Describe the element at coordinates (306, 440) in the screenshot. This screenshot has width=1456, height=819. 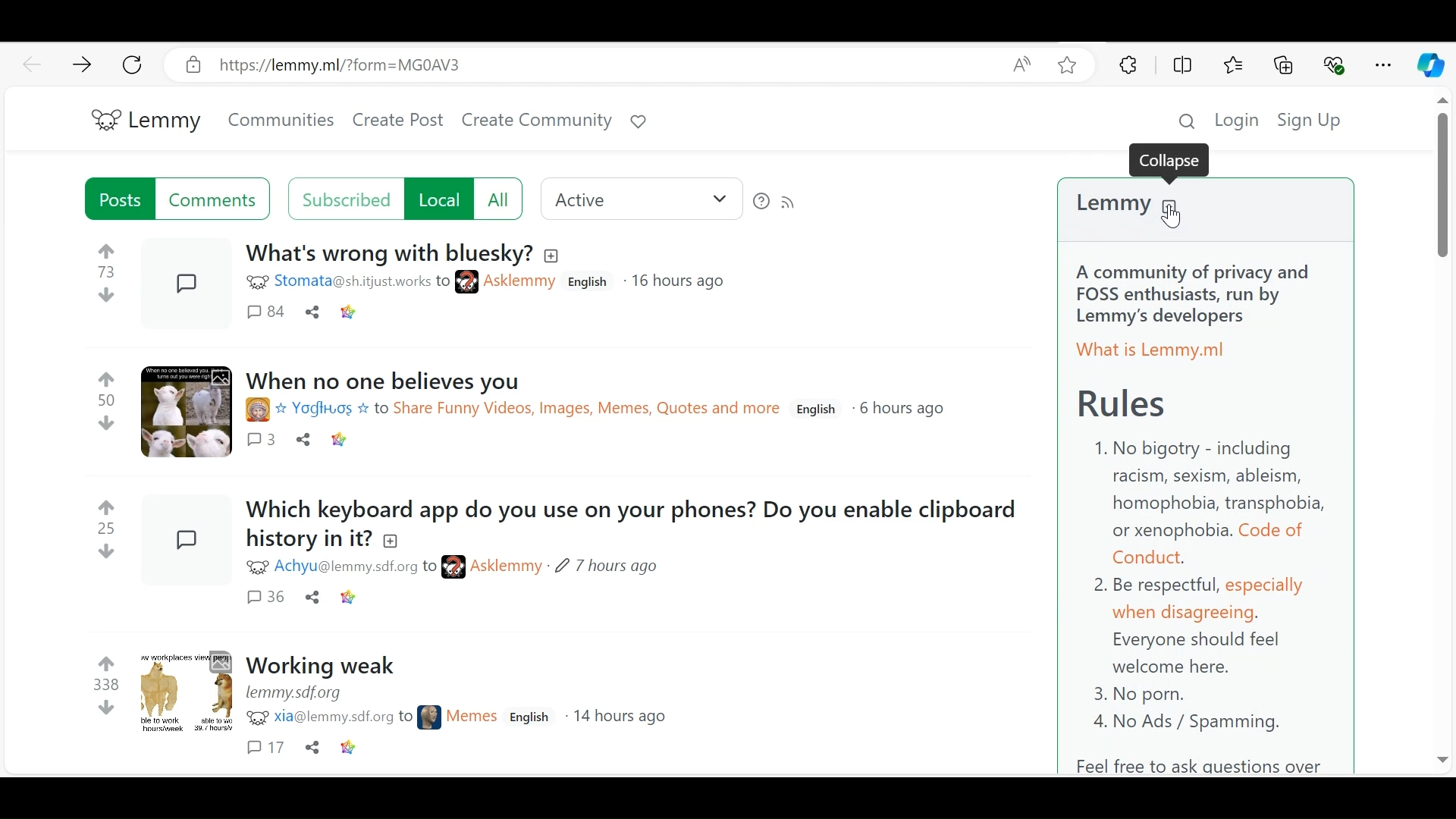
I see `share` at that location.